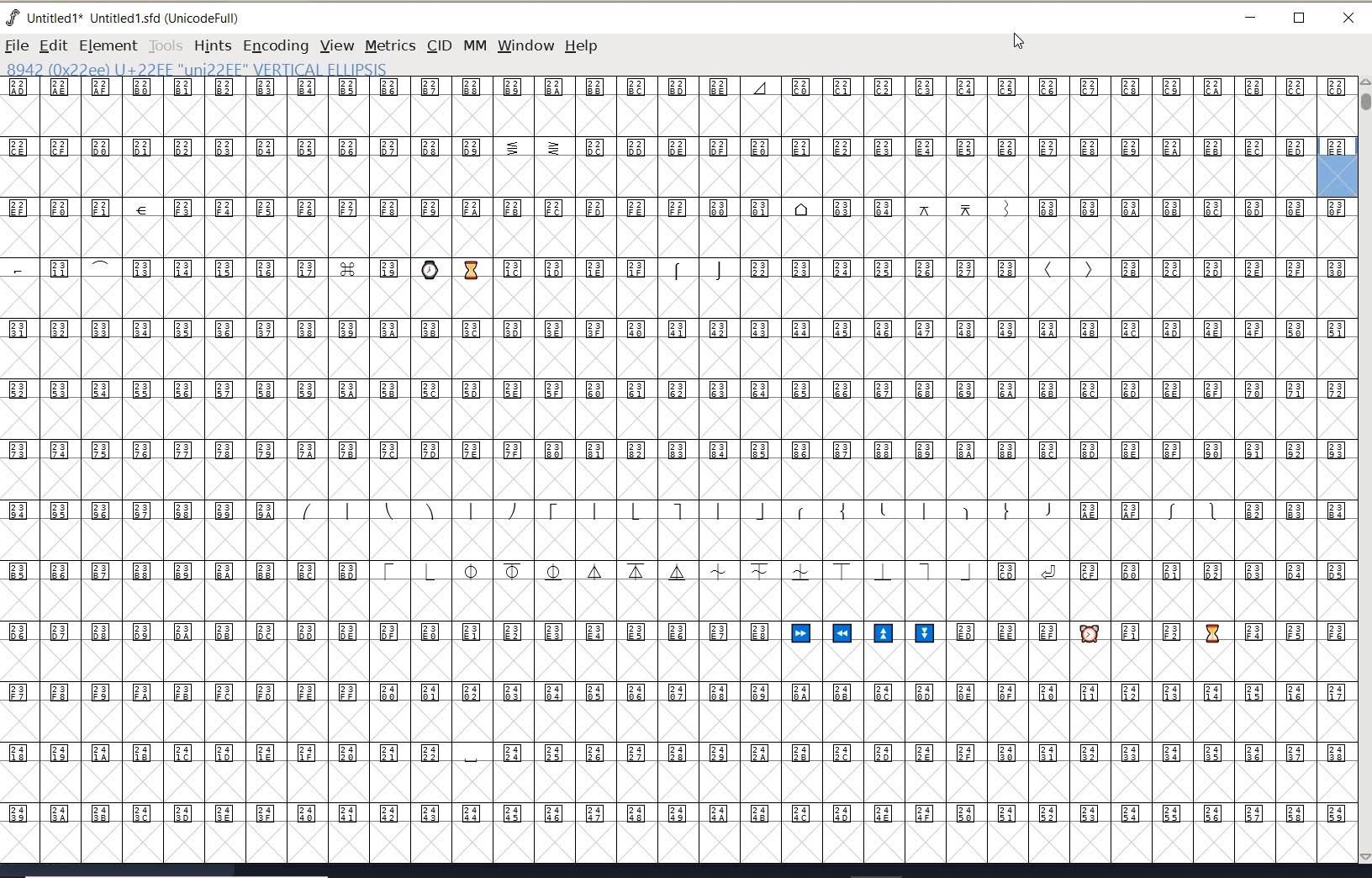 This screenshot has width=1372, height=878. Describe the element at coordinates (335, 45) in the screenshot. I see `VIEW` at that location.